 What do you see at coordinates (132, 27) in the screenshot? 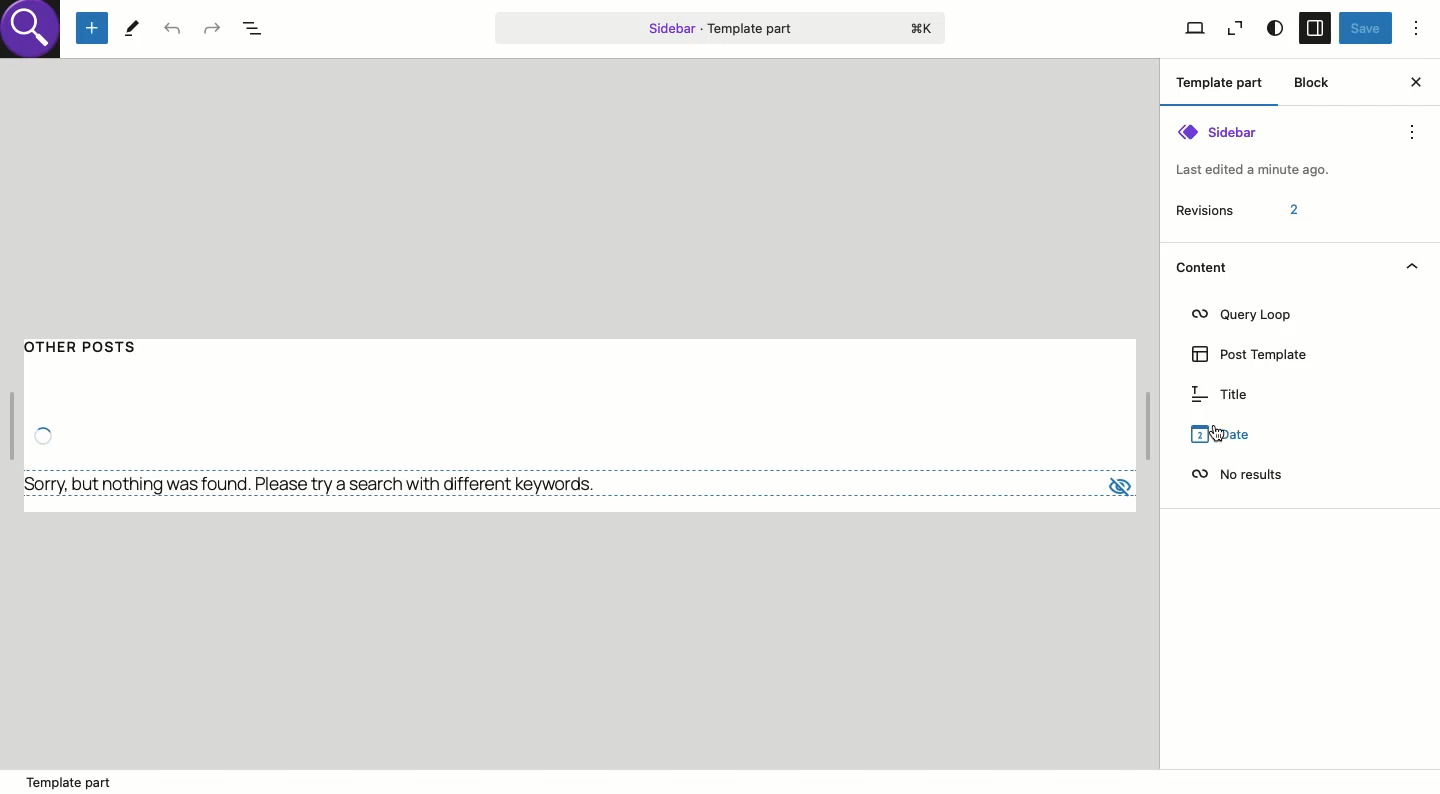
I see `Tools` at bounding box center [132, 27].